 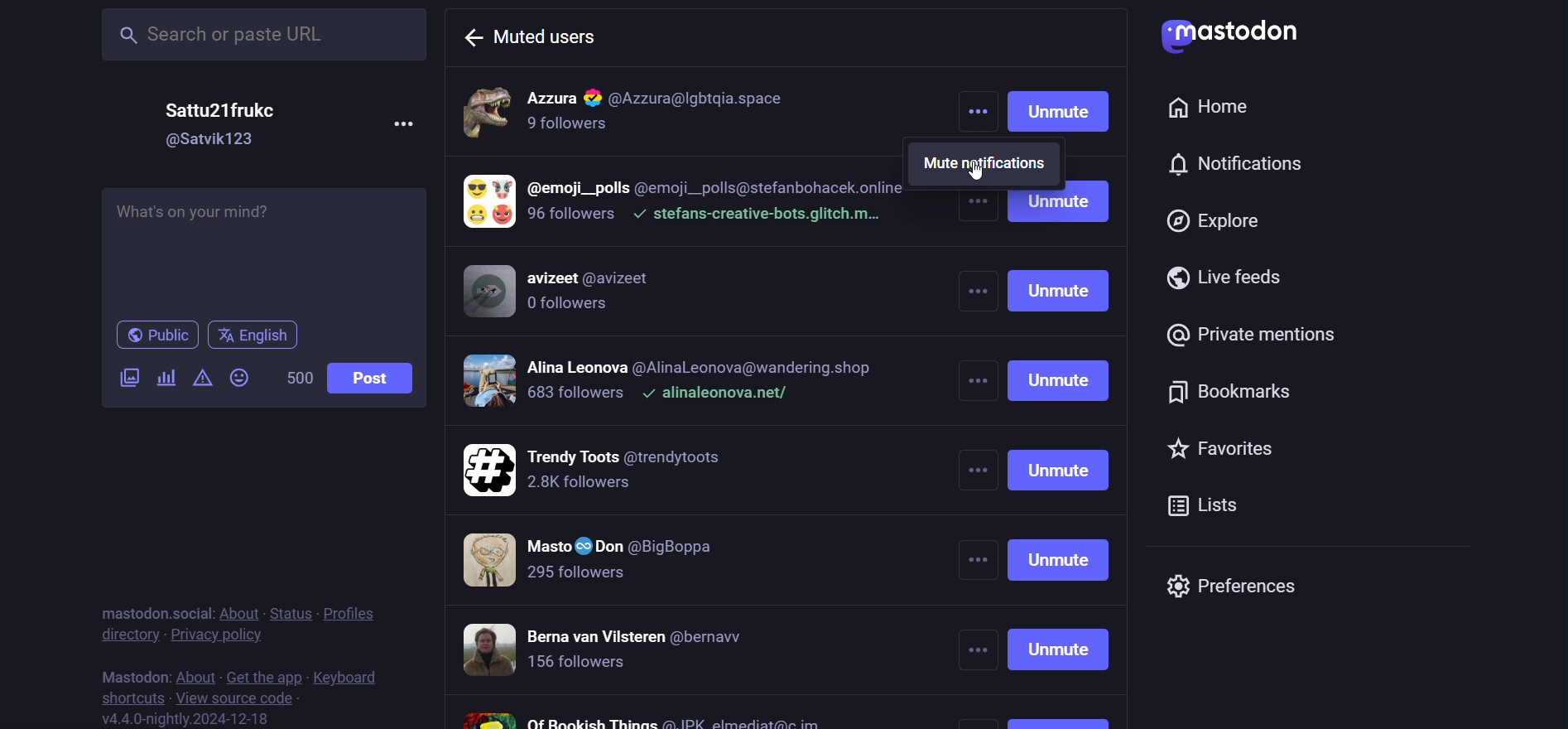 What do you see at coordinates (1224, 389) in the screenshot?
I see `bookmark` at bounding box center [1224, 389].